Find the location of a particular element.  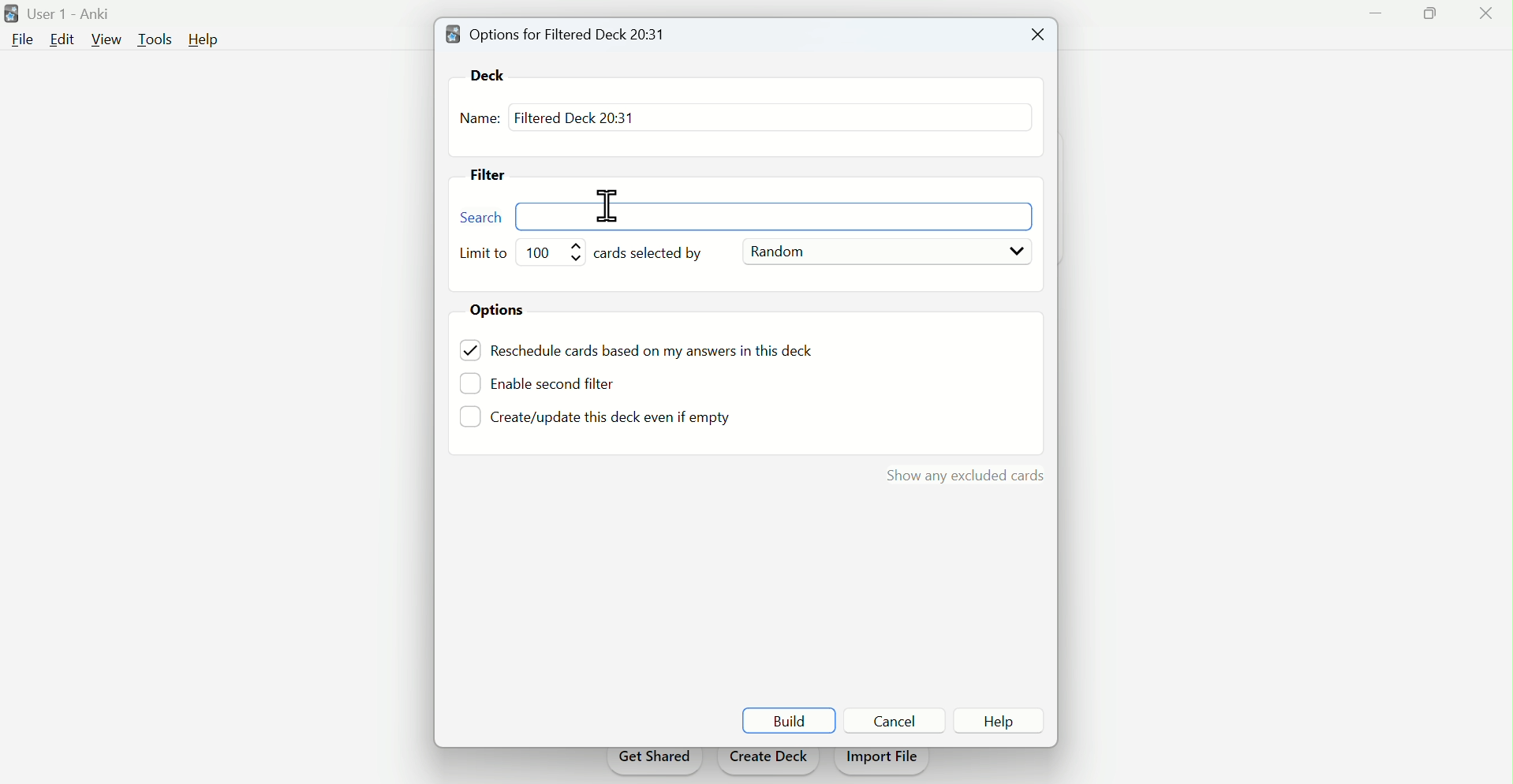

Import file is located at coordinates (884, 762).